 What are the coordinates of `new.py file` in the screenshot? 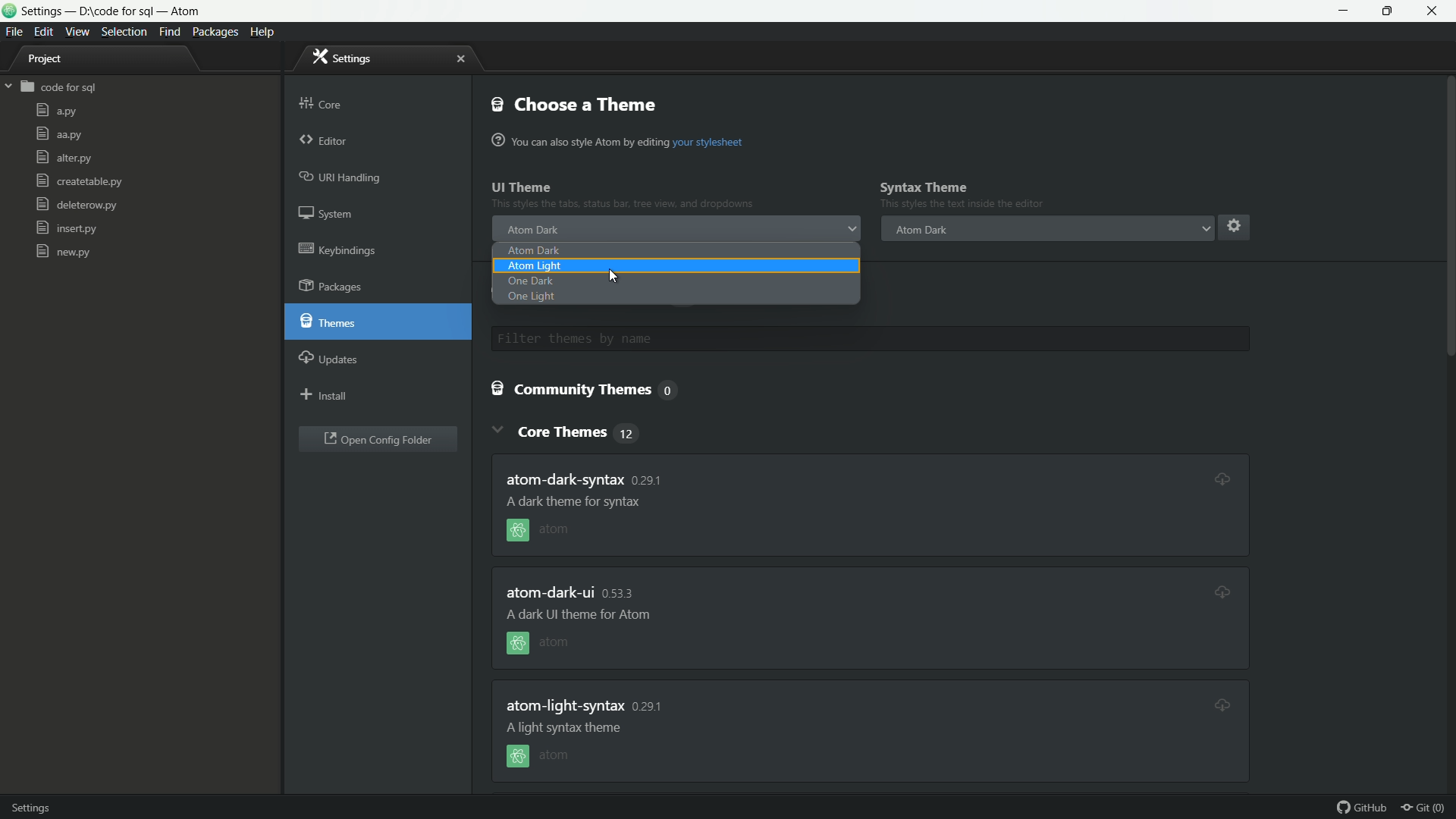 It's located at (63, 251).